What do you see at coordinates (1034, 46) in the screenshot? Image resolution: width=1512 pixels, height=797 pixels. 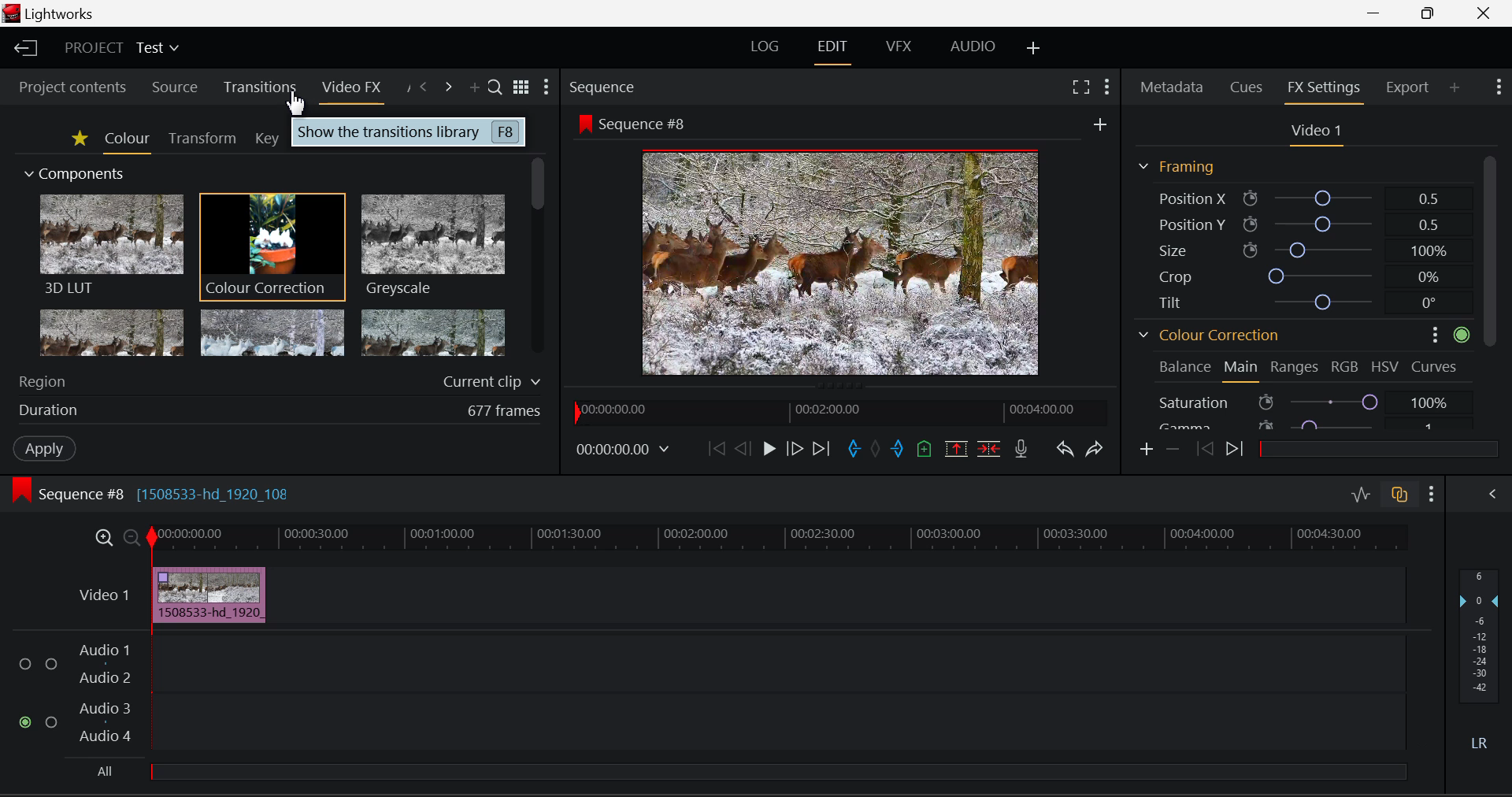 I see `Add Layout` at bounding box center [1034, 46].